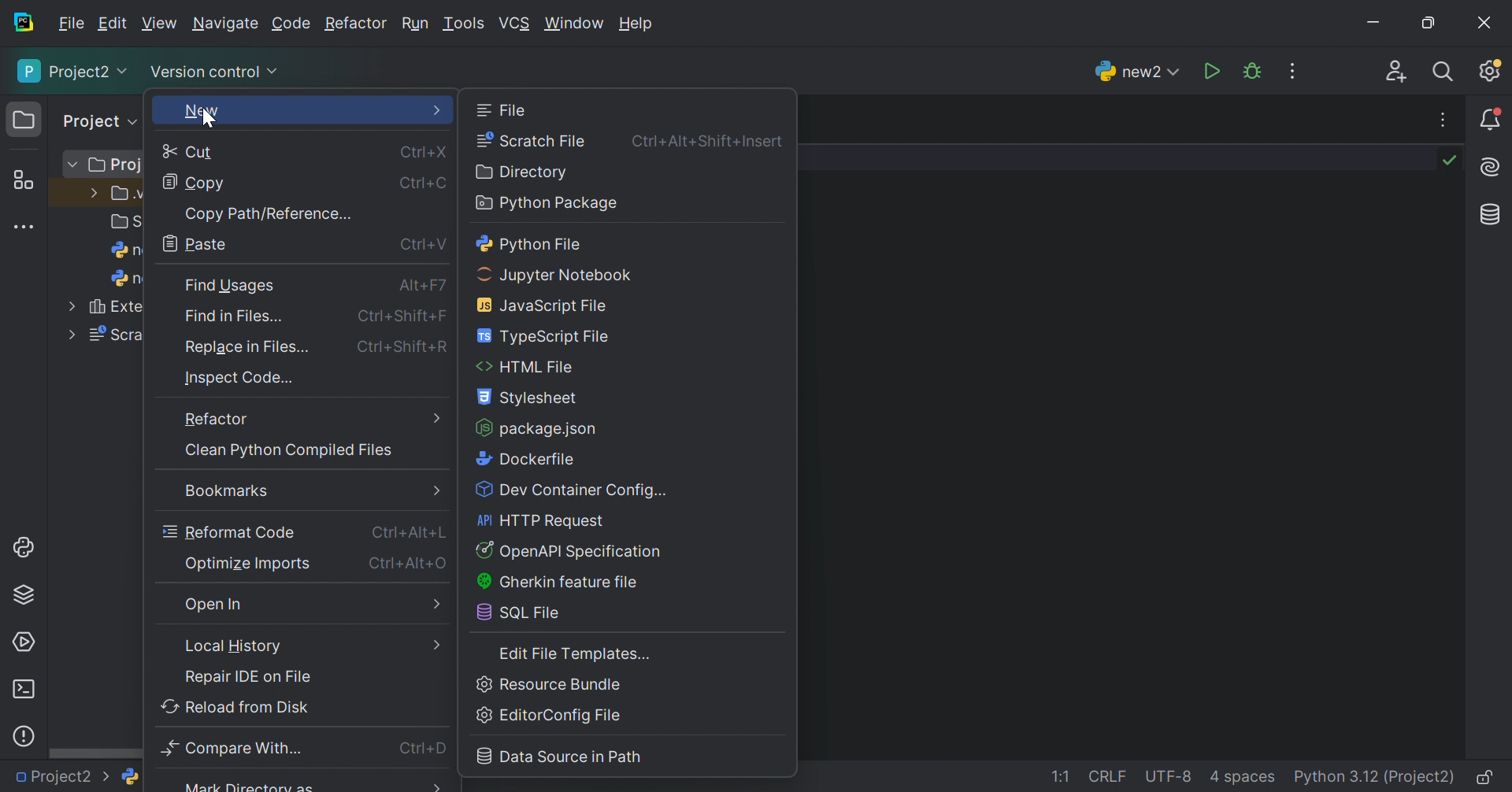 The image size is (1512, 792). I want to click on File, so click(71, 24).